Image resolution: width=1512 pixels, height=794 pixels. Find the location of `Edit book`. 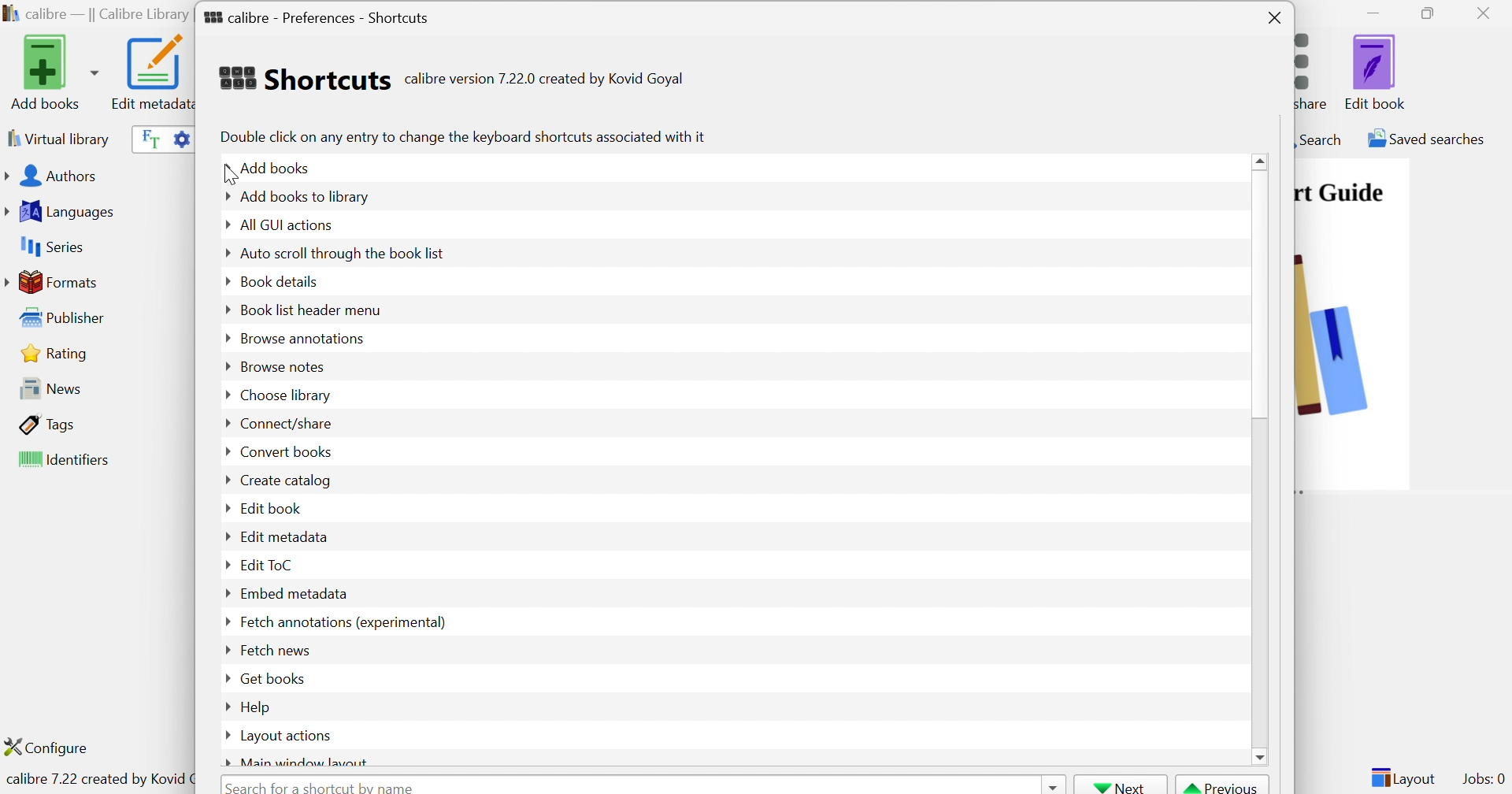

Edit book is located at coordinates (1376, 72).